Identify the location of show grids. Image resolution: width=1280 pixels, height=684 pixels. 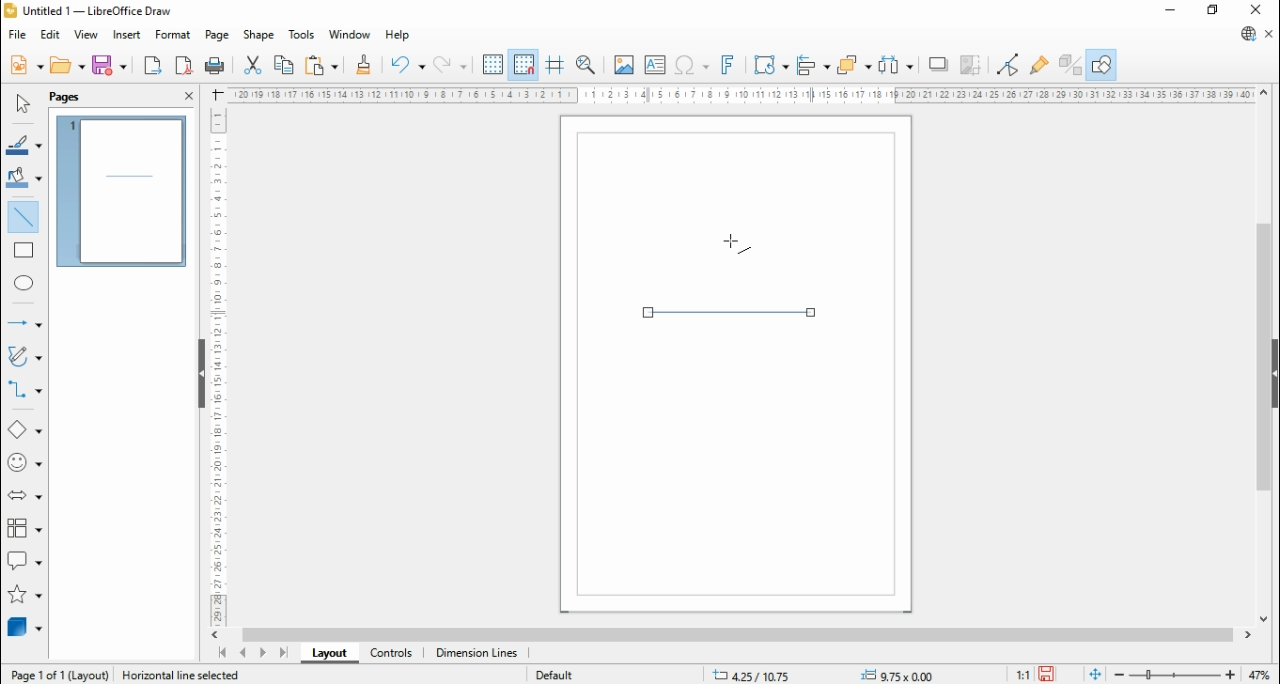
(493, 64).